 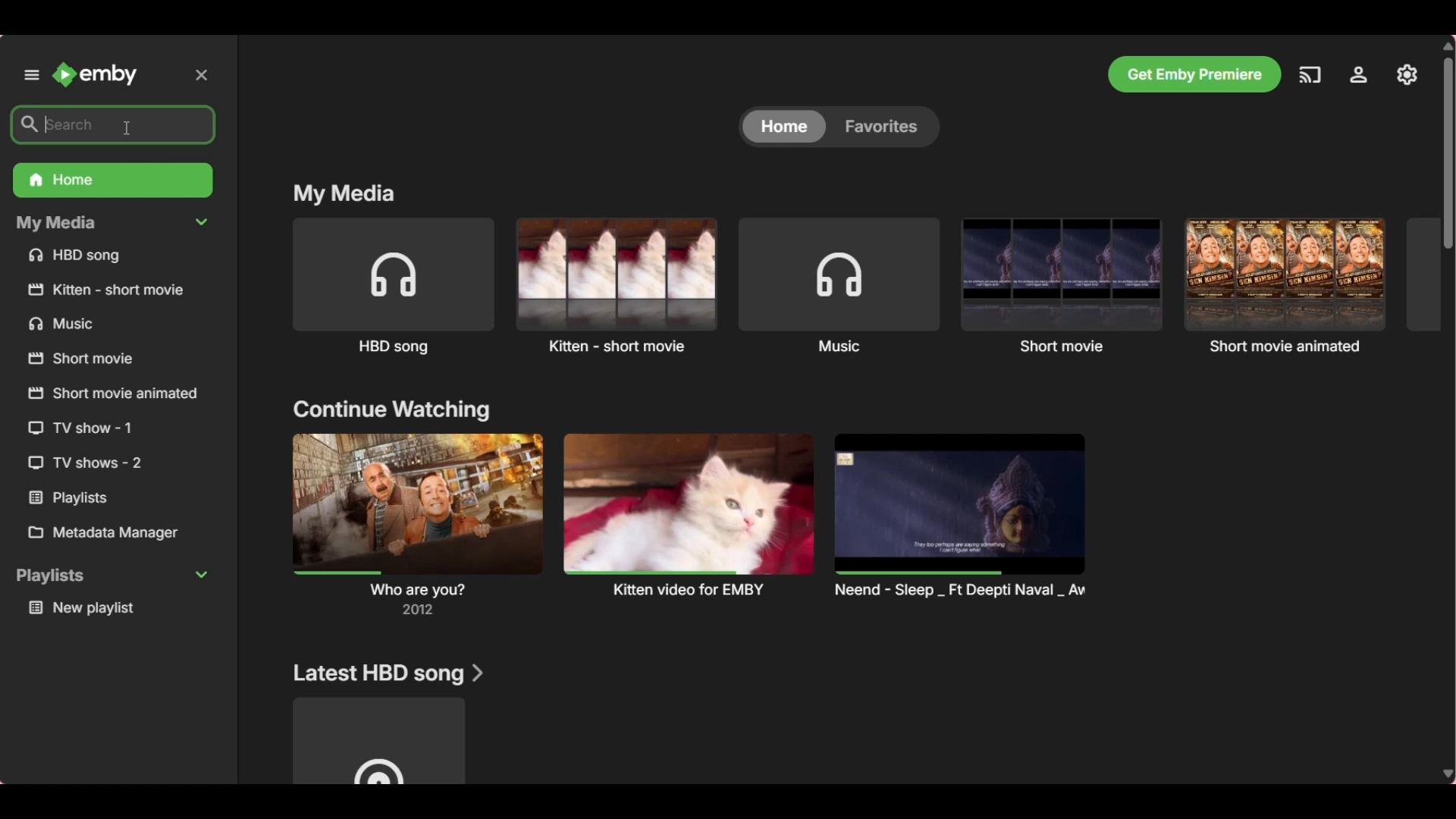 What do you see at coordinates (838, 127) in the screenshot?
I see `Toggle between Home and Favorites` at bounding box center [838, 127].